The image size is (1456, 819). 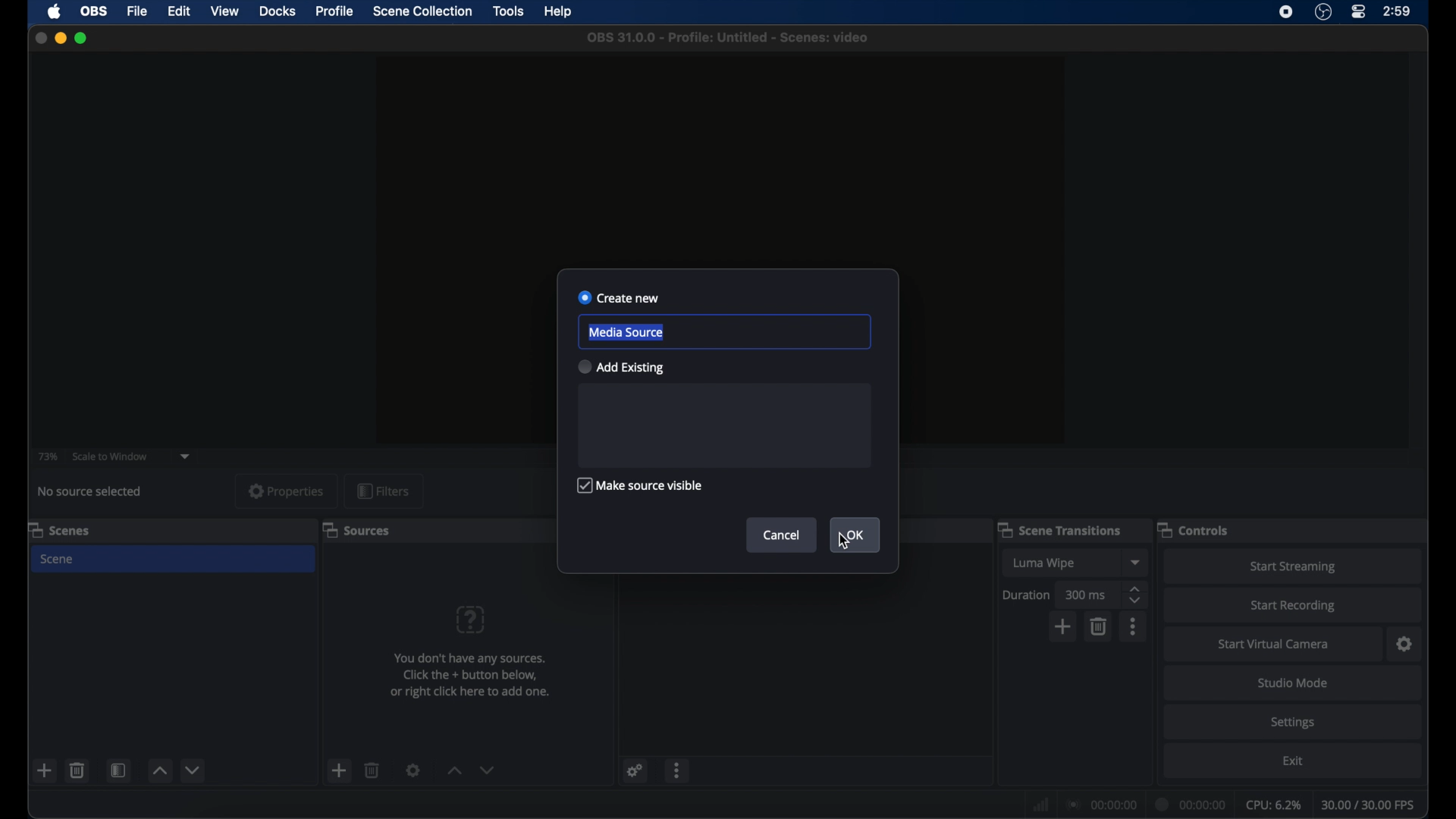 What do you see at coordinates (138, 12) in the screenshot?
I see `file` at bounding box center [138, 12].